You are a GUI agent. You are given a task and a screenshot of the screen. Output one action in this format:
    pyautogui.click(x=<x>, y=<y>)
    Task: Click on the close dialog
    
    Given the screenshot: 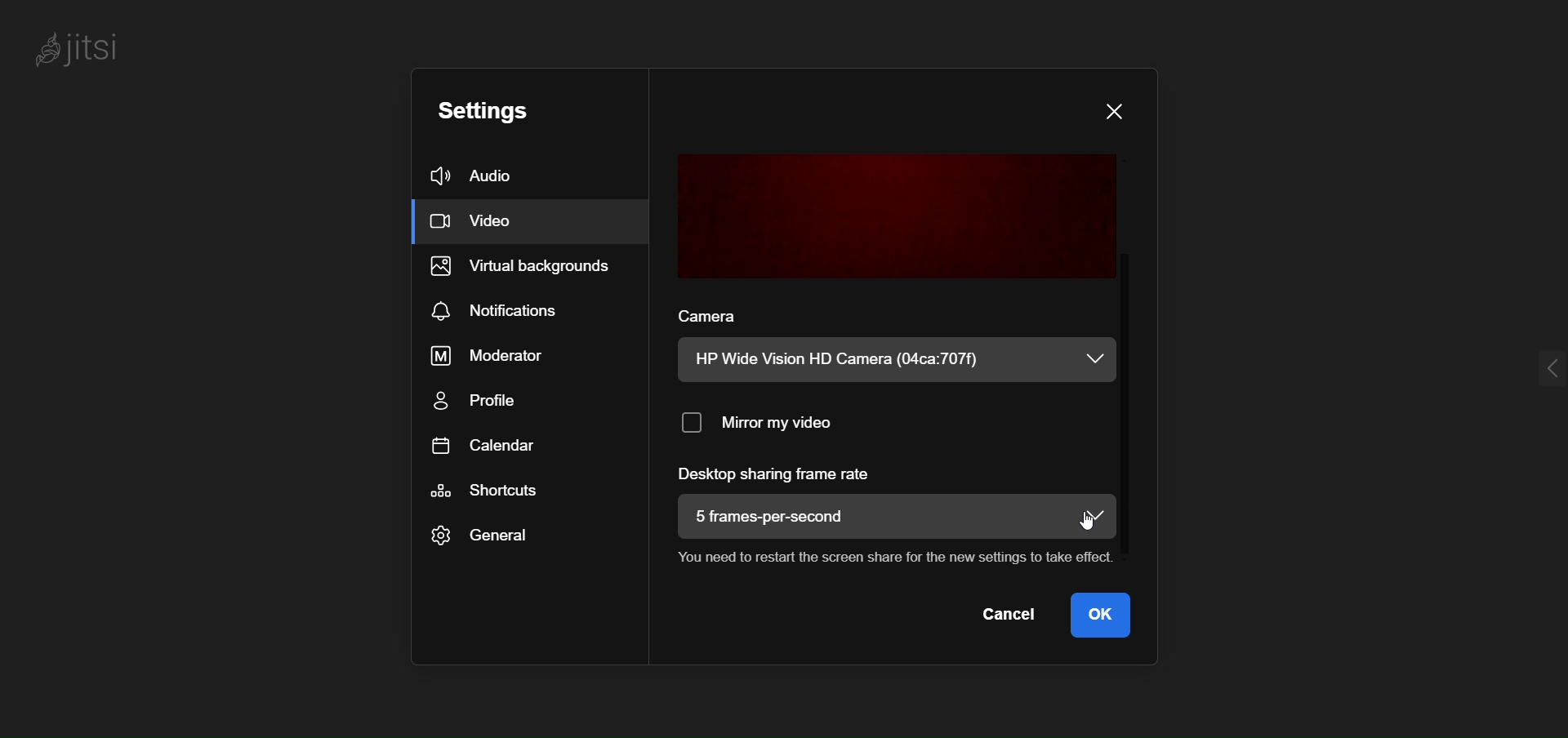 What is the action you would take?
    pyautogui.click(x=1118, y=111)
    